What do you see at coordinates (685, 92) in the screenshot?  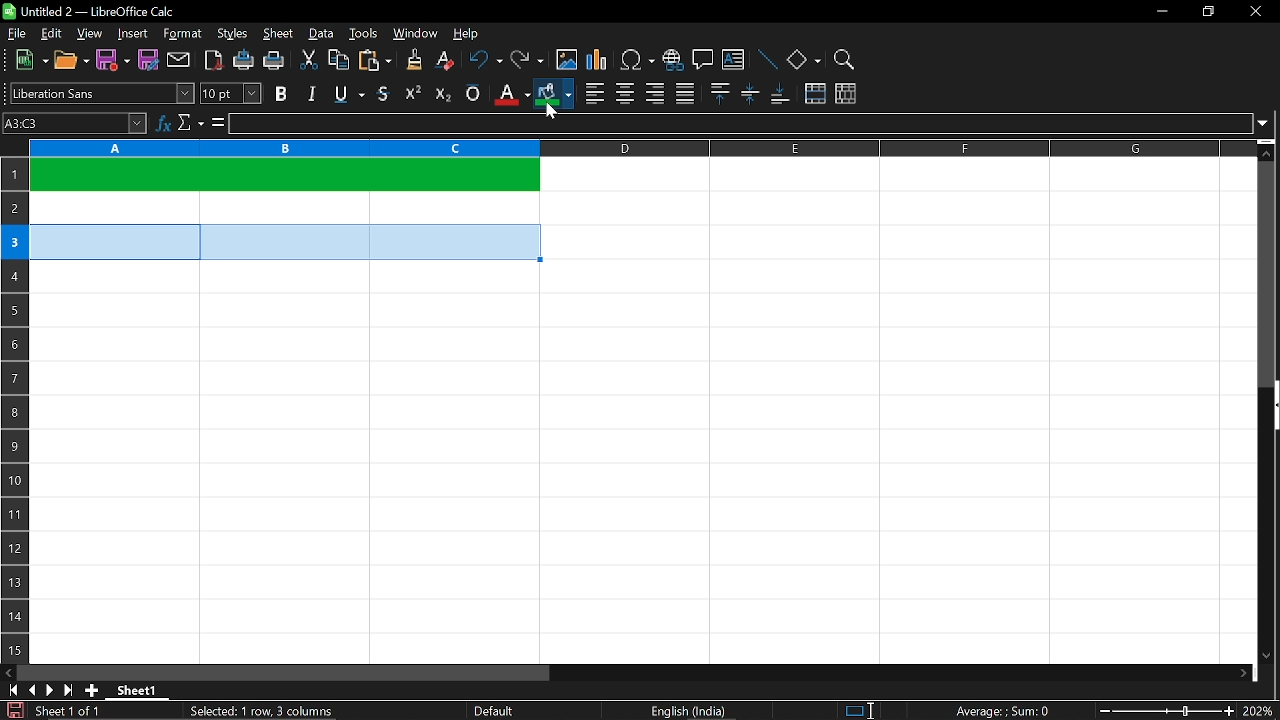 I see `justified` at bounding box center [685, 92].